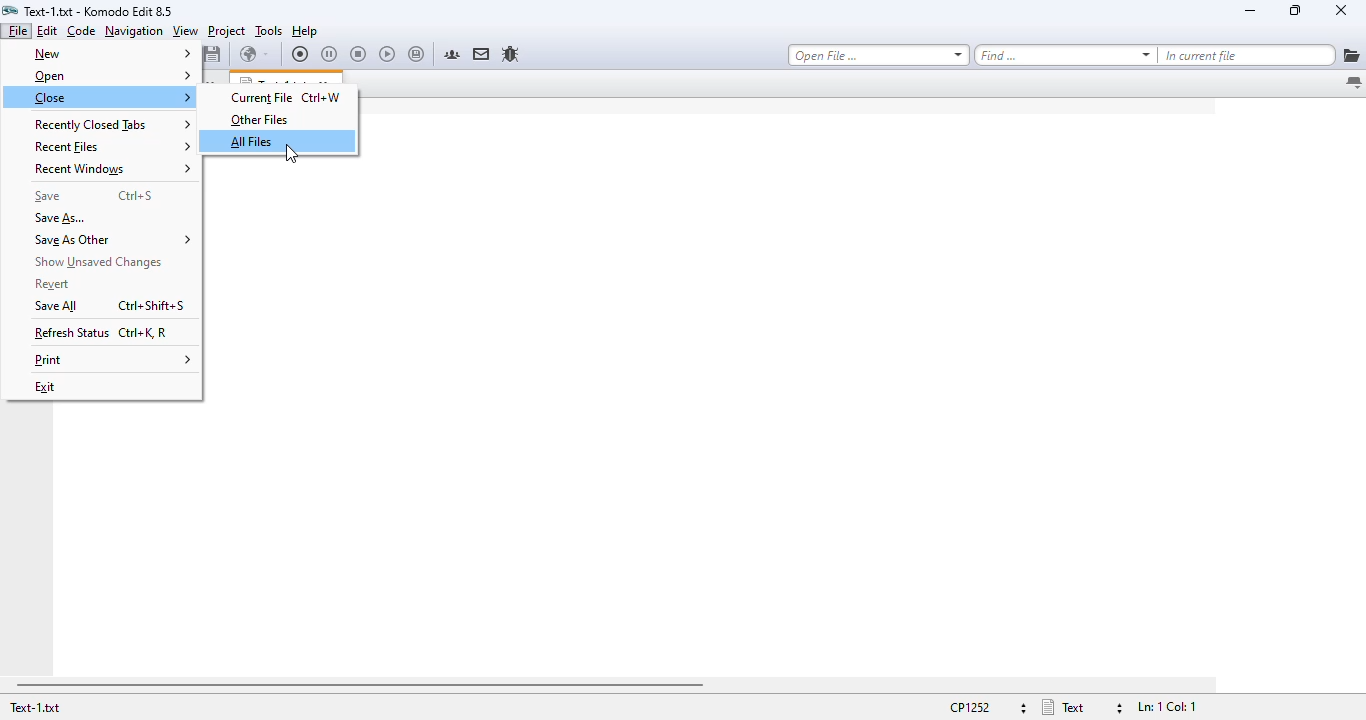 The height and width of the screenshot is (720, 1366). What do you see at coordinates (358, 55) in the screenshot?
I see `stop recording macro` at bounding box center [358, 55].